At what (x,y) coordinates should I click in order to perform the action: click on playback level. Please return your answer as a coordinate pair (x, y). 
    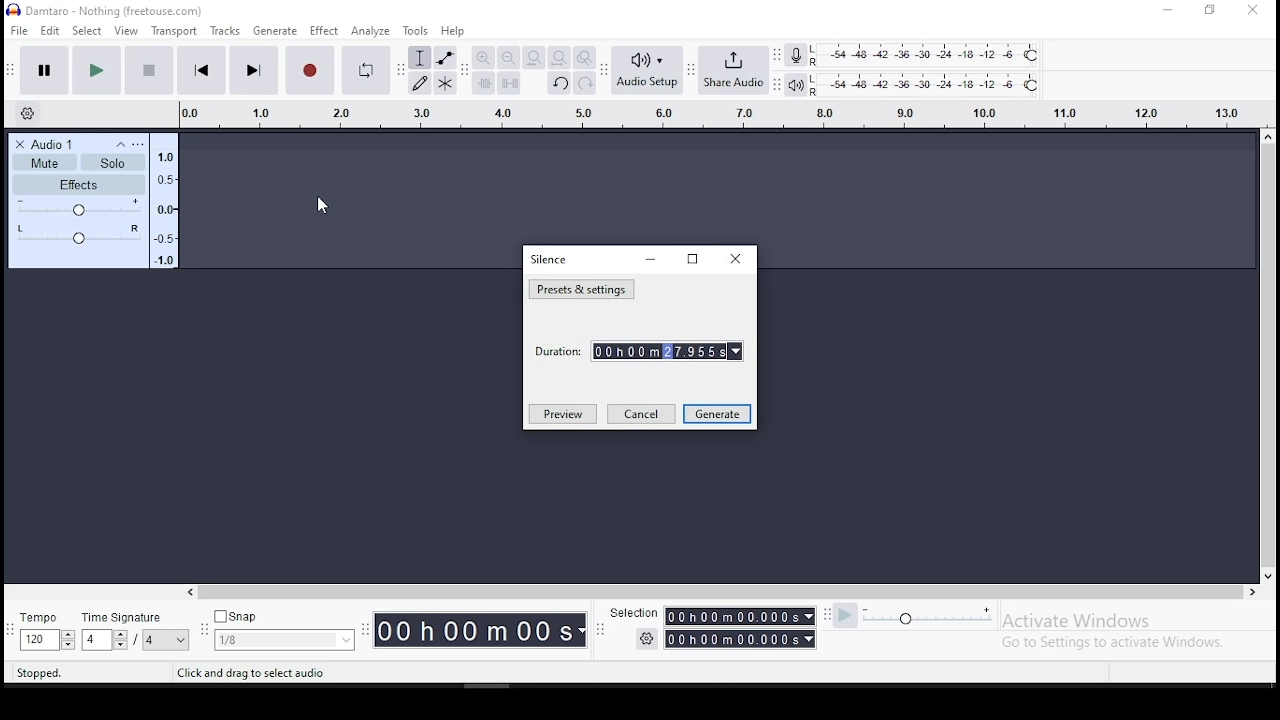
    Looking at the image, I should click on (929, 85).